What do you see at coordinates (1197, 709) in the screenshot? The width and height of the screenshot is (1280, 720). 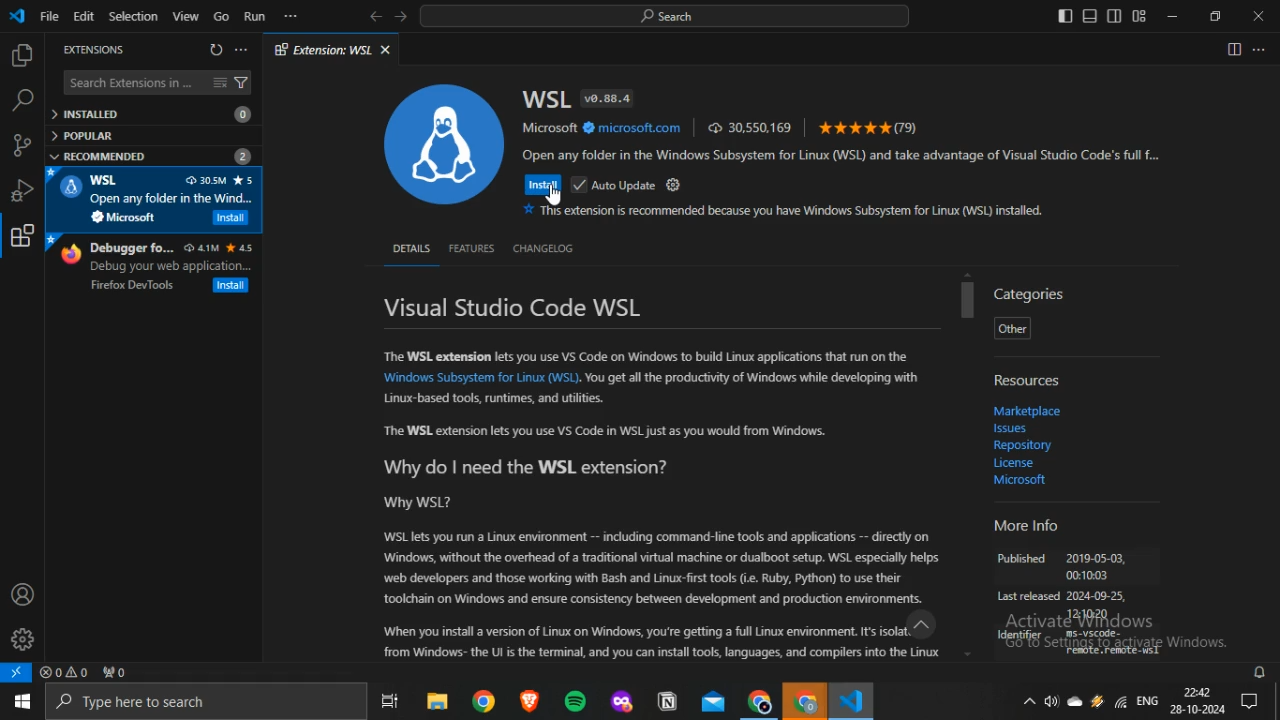 I see `28-10-2024` at bounding box center [1197, 709].